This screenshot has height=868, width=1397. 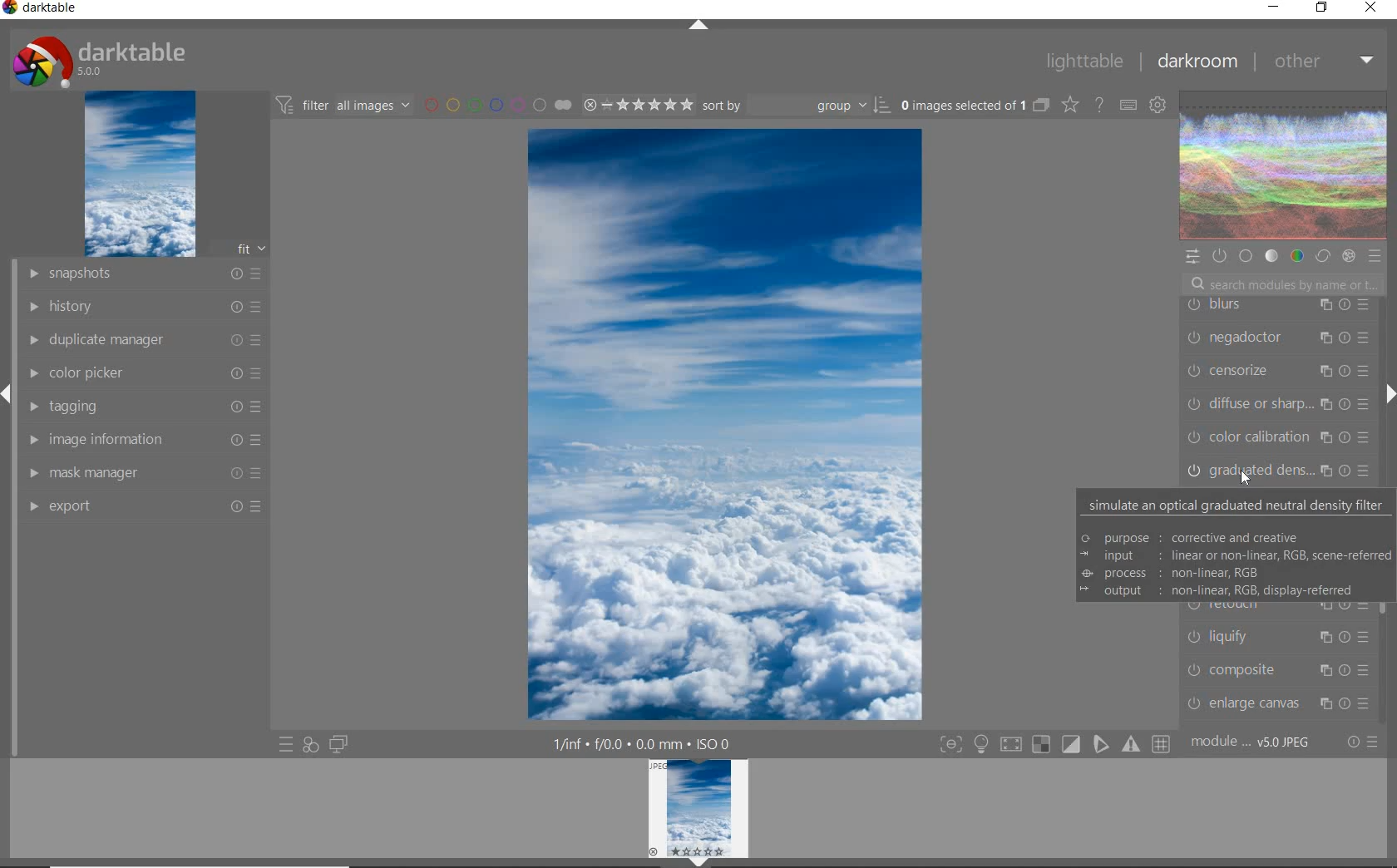 I want to click on FILTER BY IMAGE COLOR LABEL, so click(x=496, y=104).